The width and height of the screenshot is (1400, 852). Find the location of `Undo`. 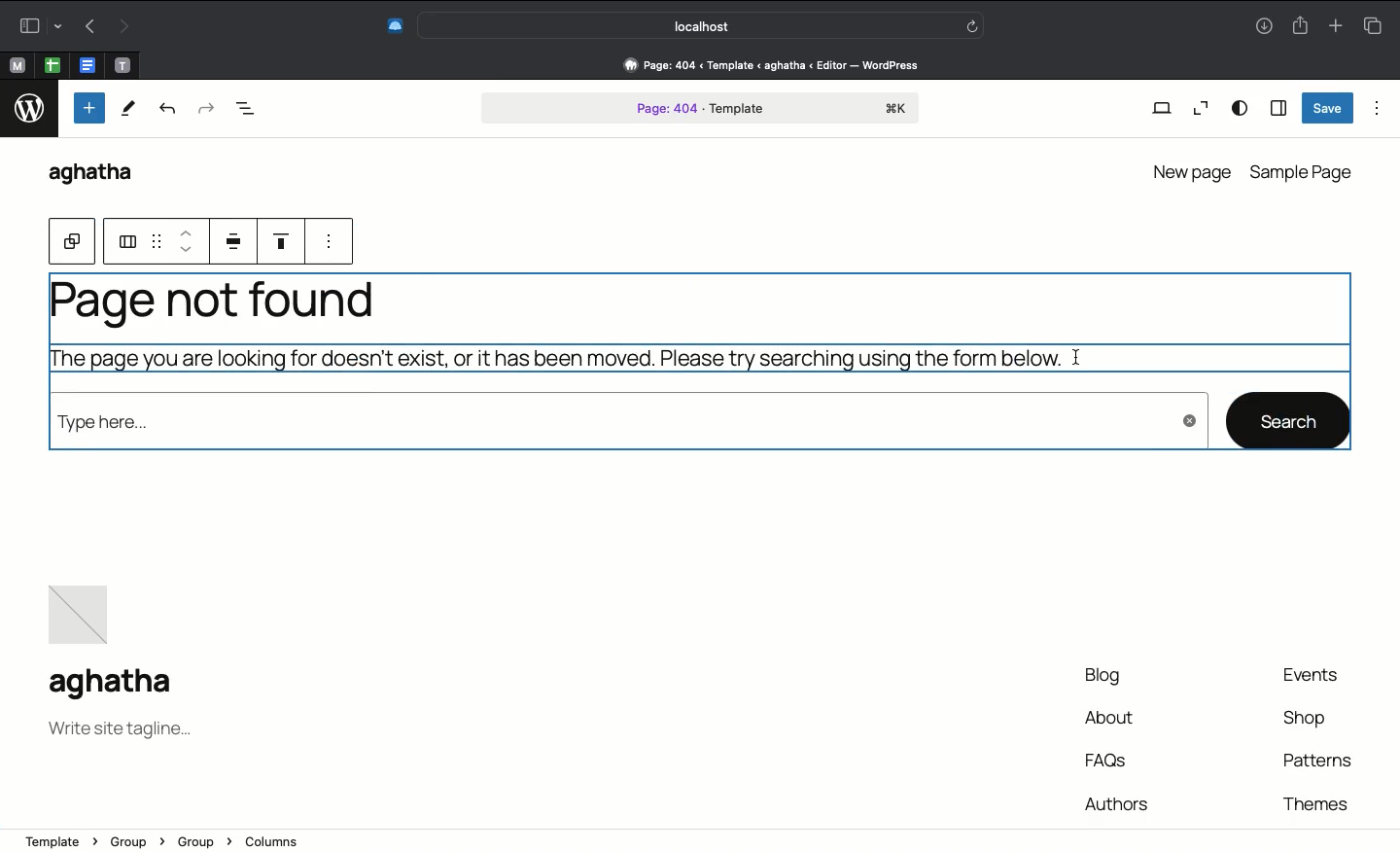

Undo is located at coordinates (90, 25).